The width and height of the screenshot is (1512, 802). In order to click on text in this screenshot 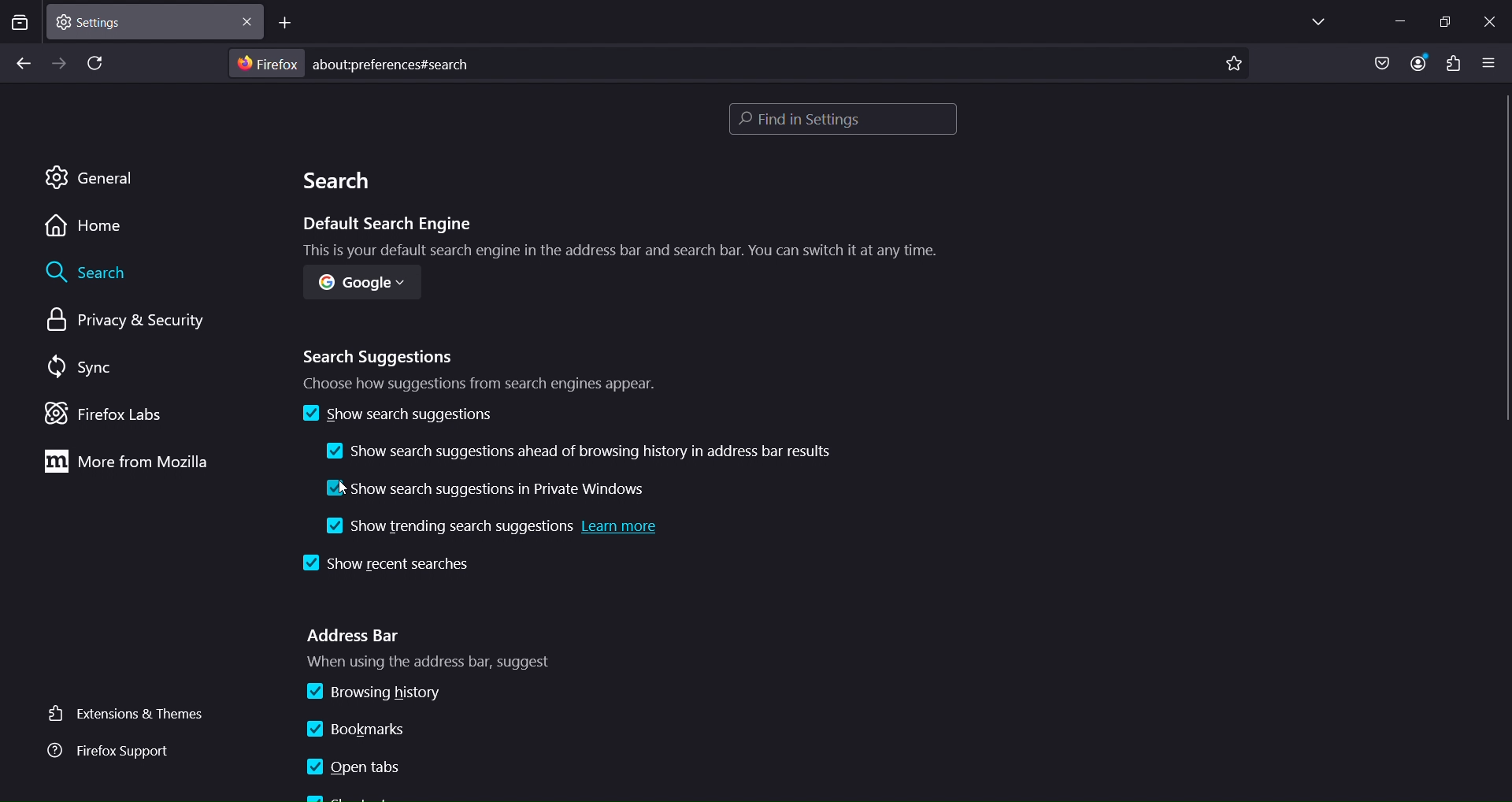, I will do `click(353, 63)`.